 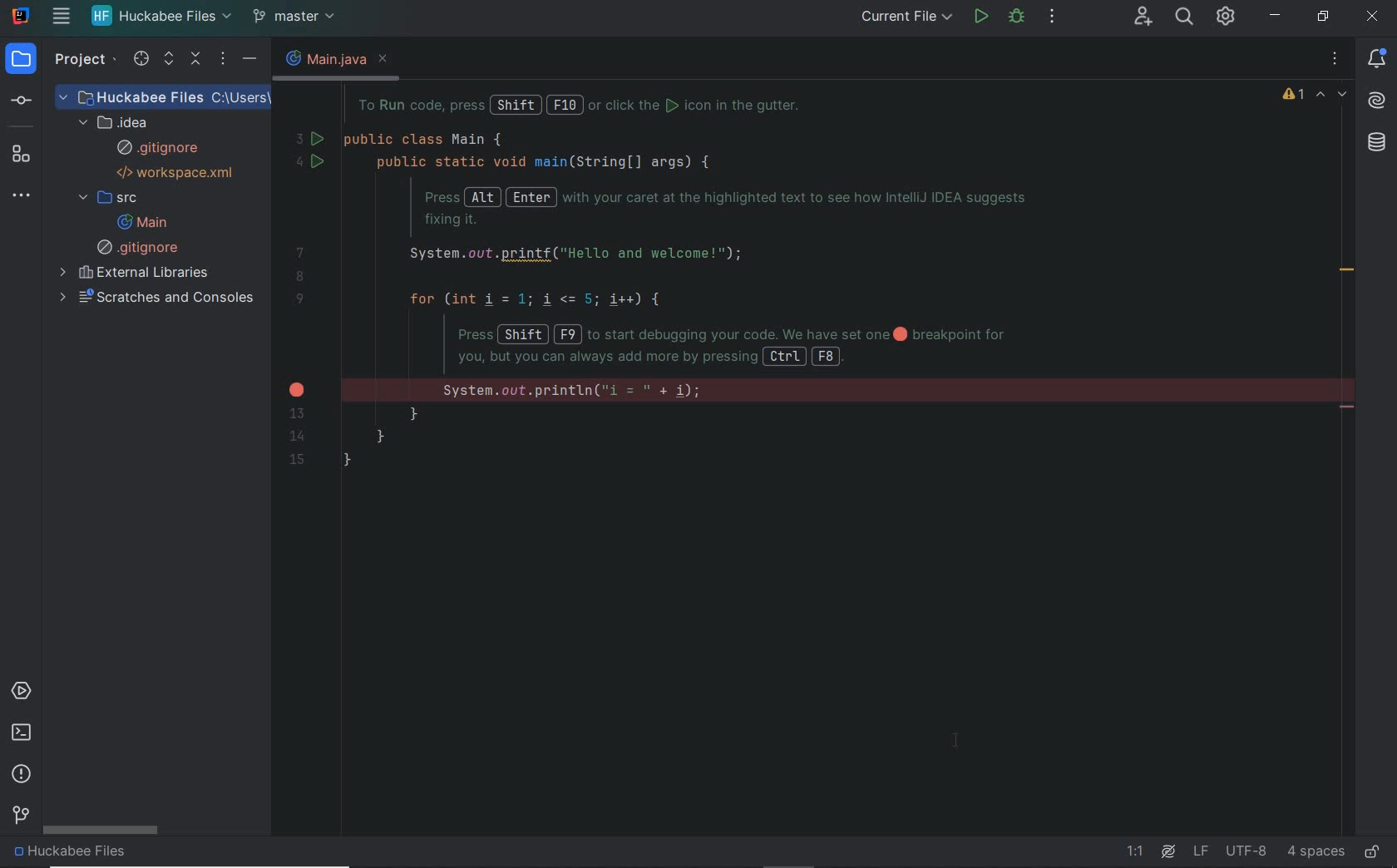 What do you see at coordinates (1373, 852) in the screenshot?
I see `make file ready only` at bounding box center [1373, 852].